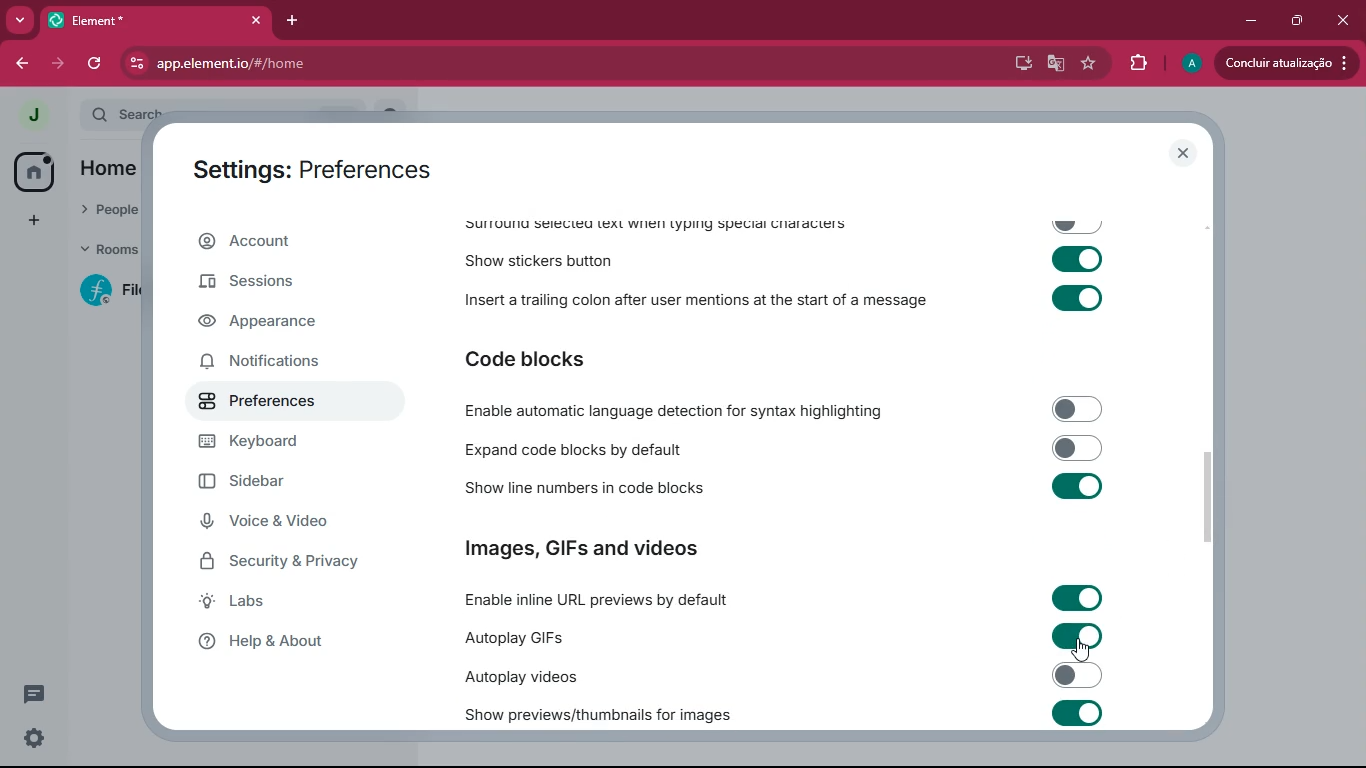  Describe the element at coordinates (779, 597) in the screenshot. I see `Enable inline URL previews by default` at that location.